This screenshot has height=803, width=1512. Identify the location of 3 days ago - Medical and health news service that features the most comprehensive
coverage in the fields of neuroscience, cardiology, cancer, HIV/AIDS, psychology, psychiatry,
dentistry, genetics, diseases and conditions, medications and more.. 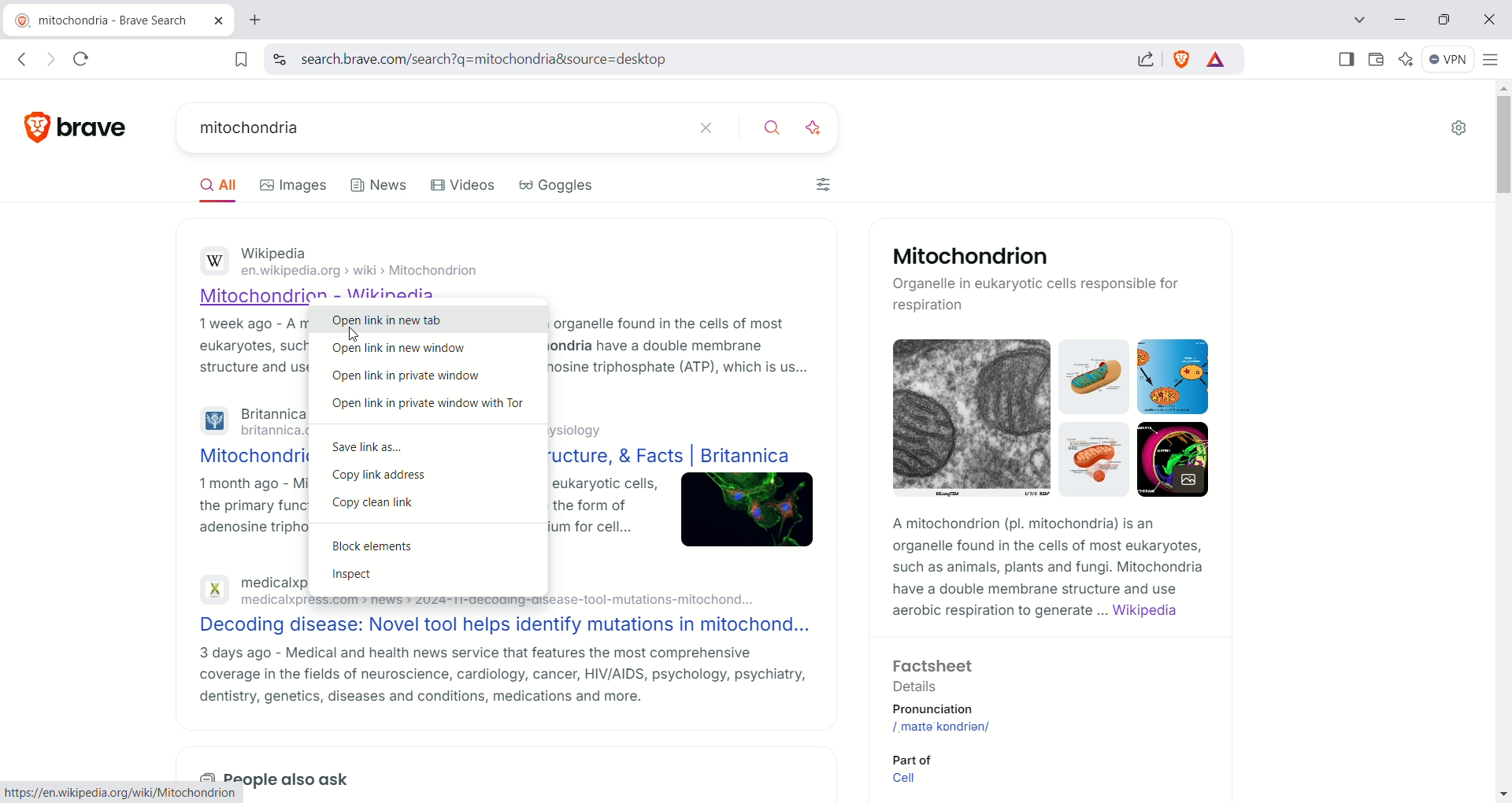
(496, 679).